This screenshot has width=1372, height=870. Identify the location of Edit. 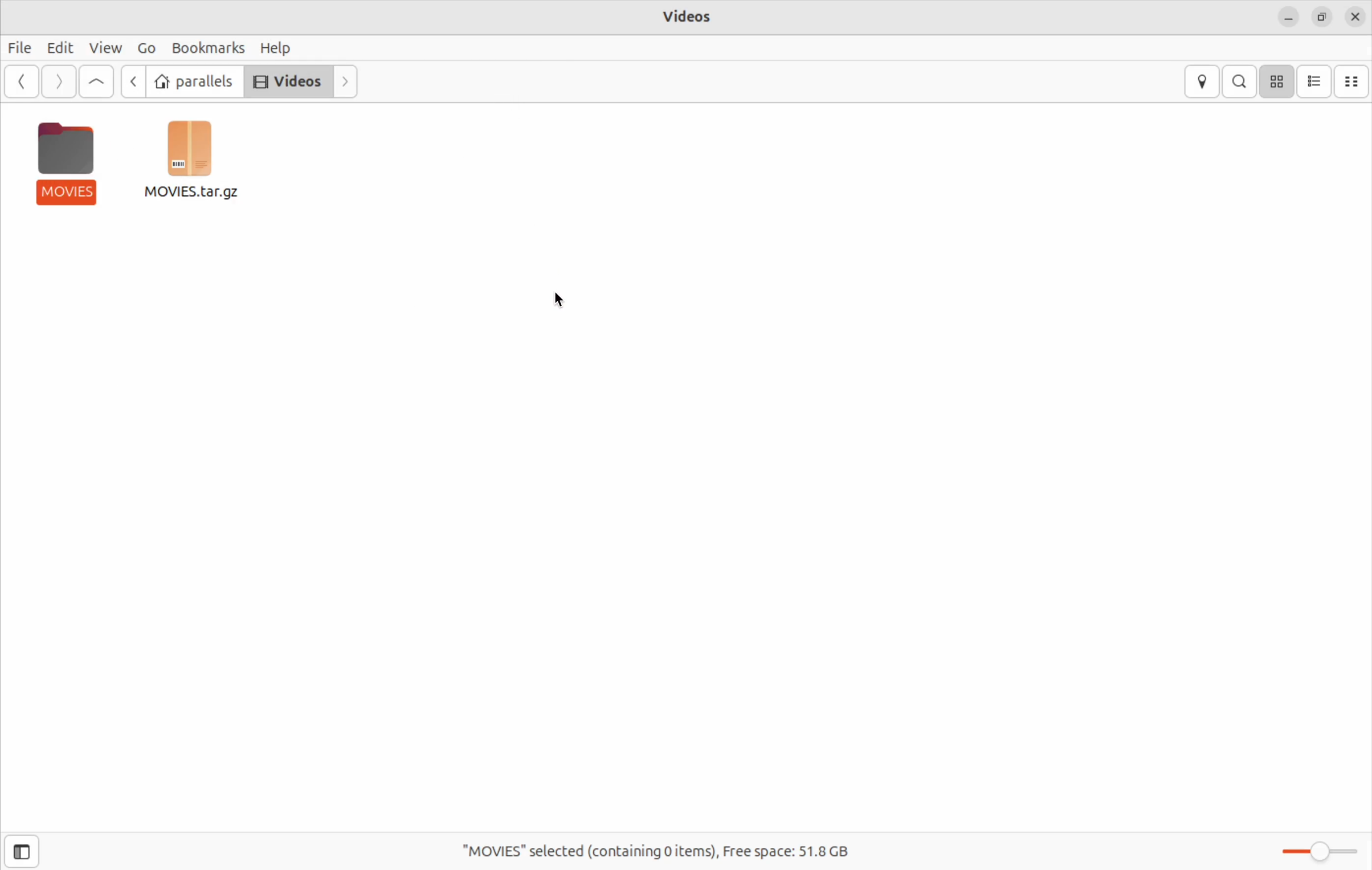
(57, 47).